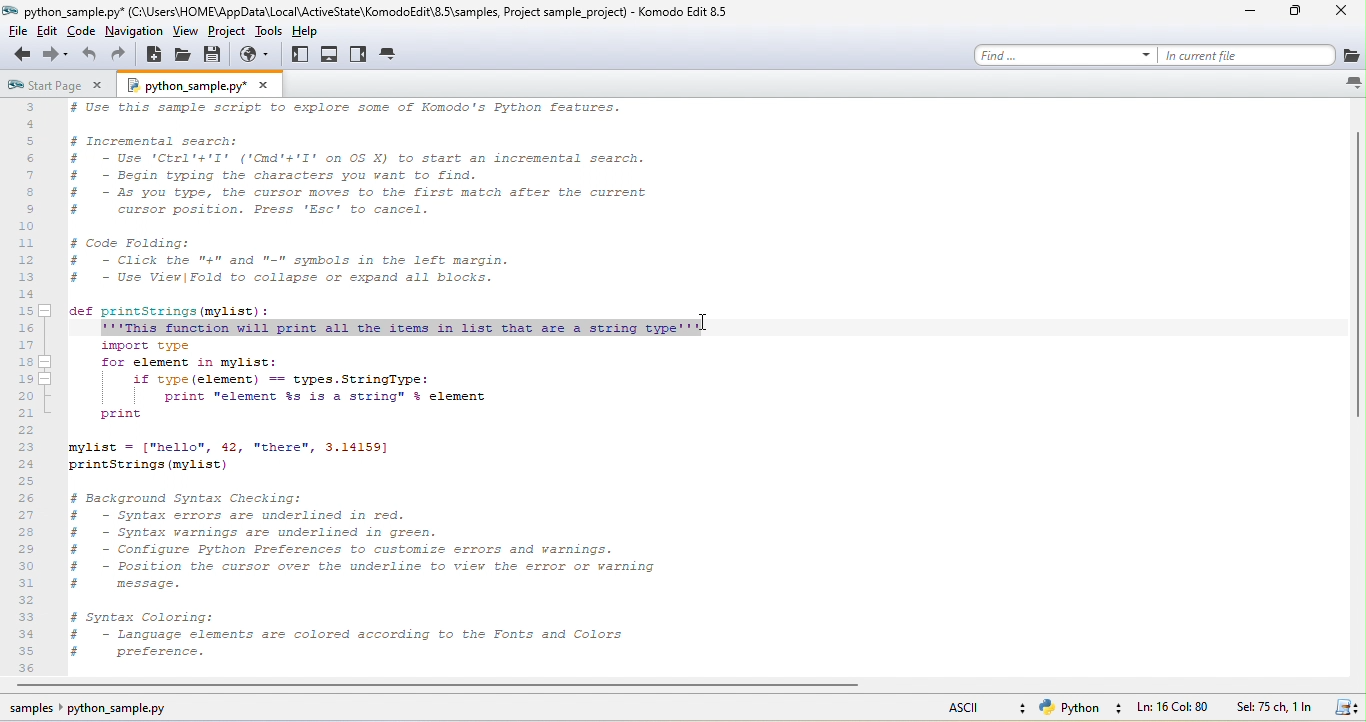 The width and height of the screenshot is (1366, 722). Describe the element at coordinates (358, 210) in the screenshot. I see `code text` at that location.